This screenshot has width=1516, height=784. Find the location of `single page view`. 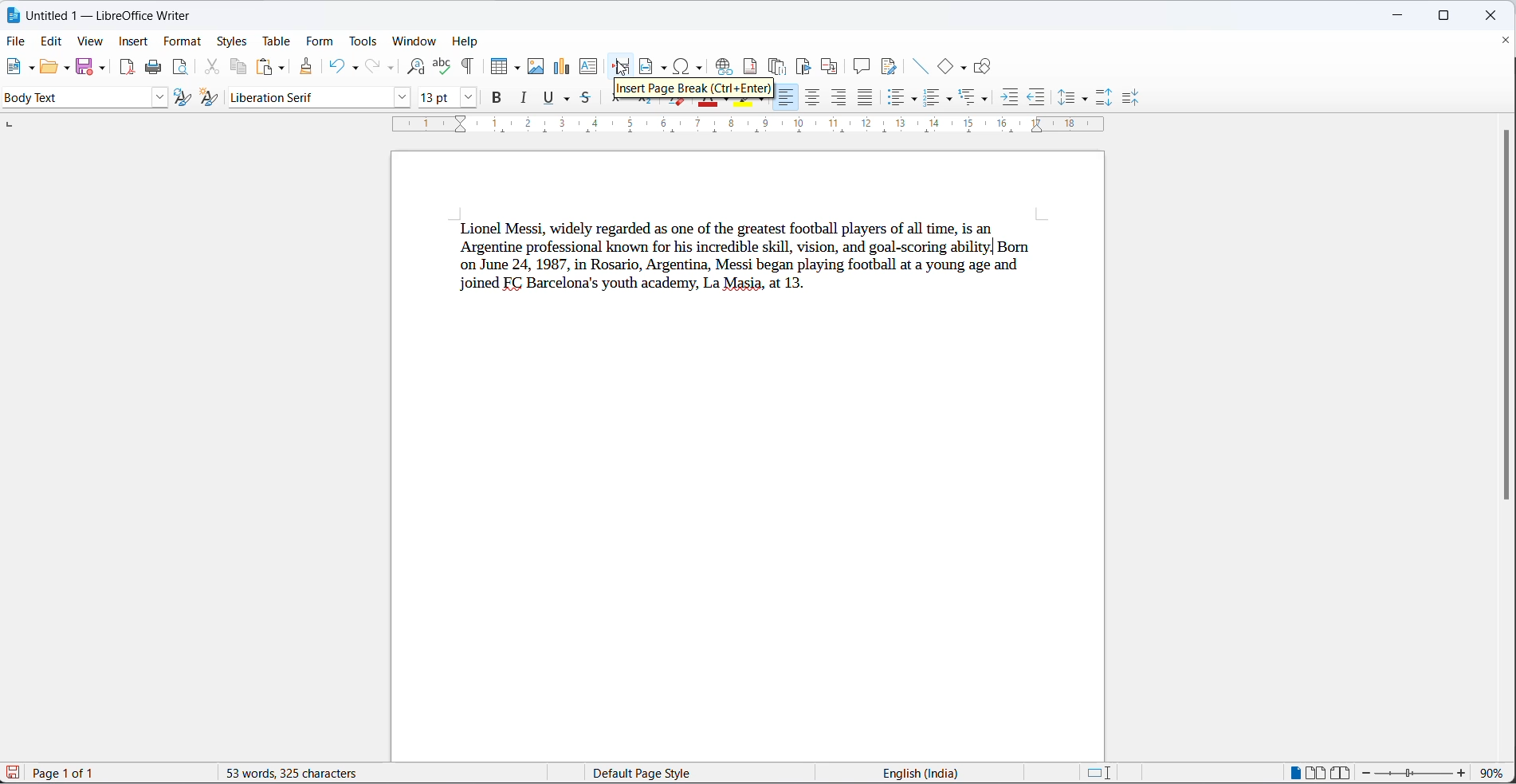

single page view is located at coordinates (1289, 772).